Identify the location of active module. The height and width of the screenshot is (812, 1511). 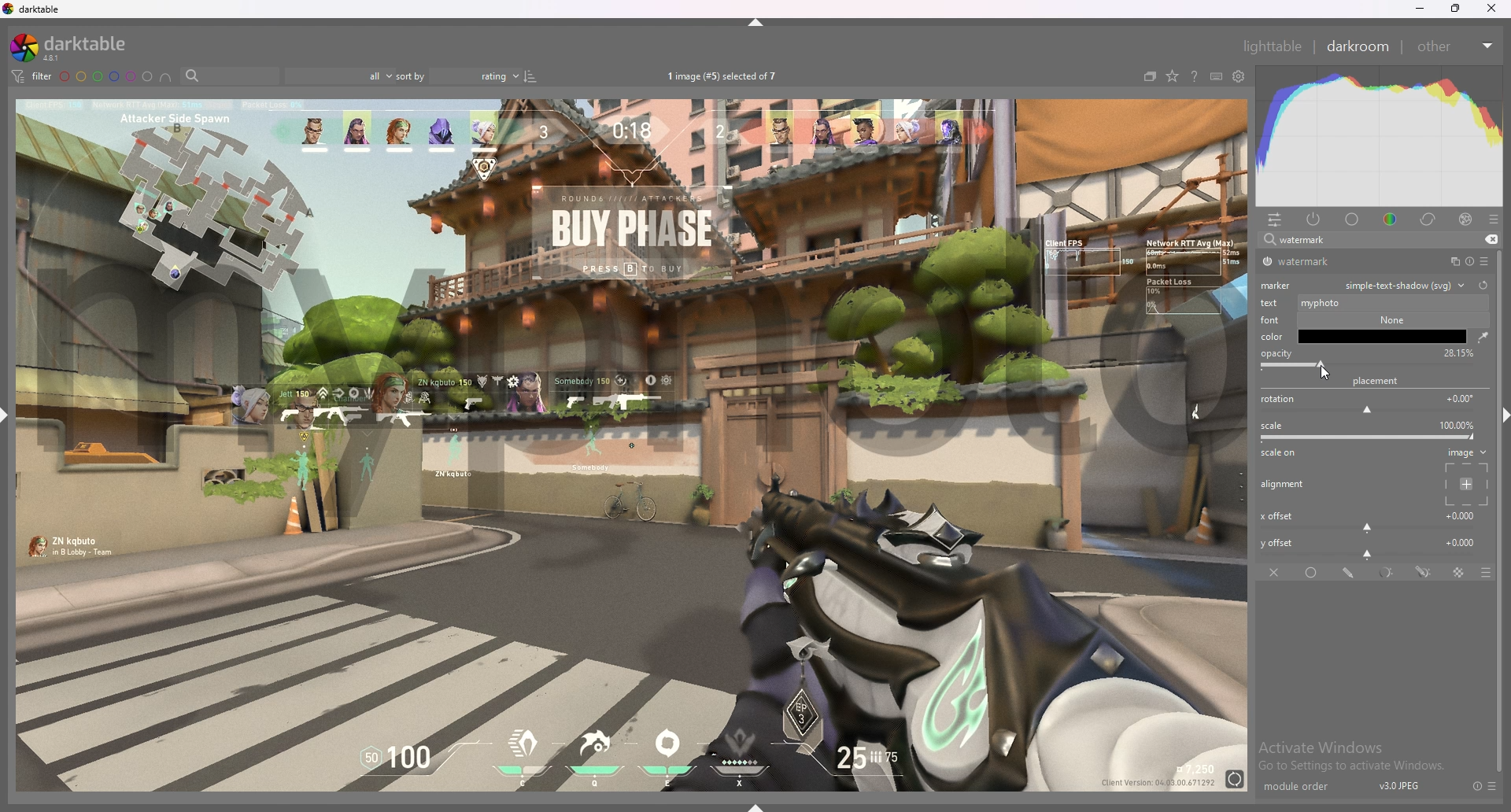
(1314, 219).